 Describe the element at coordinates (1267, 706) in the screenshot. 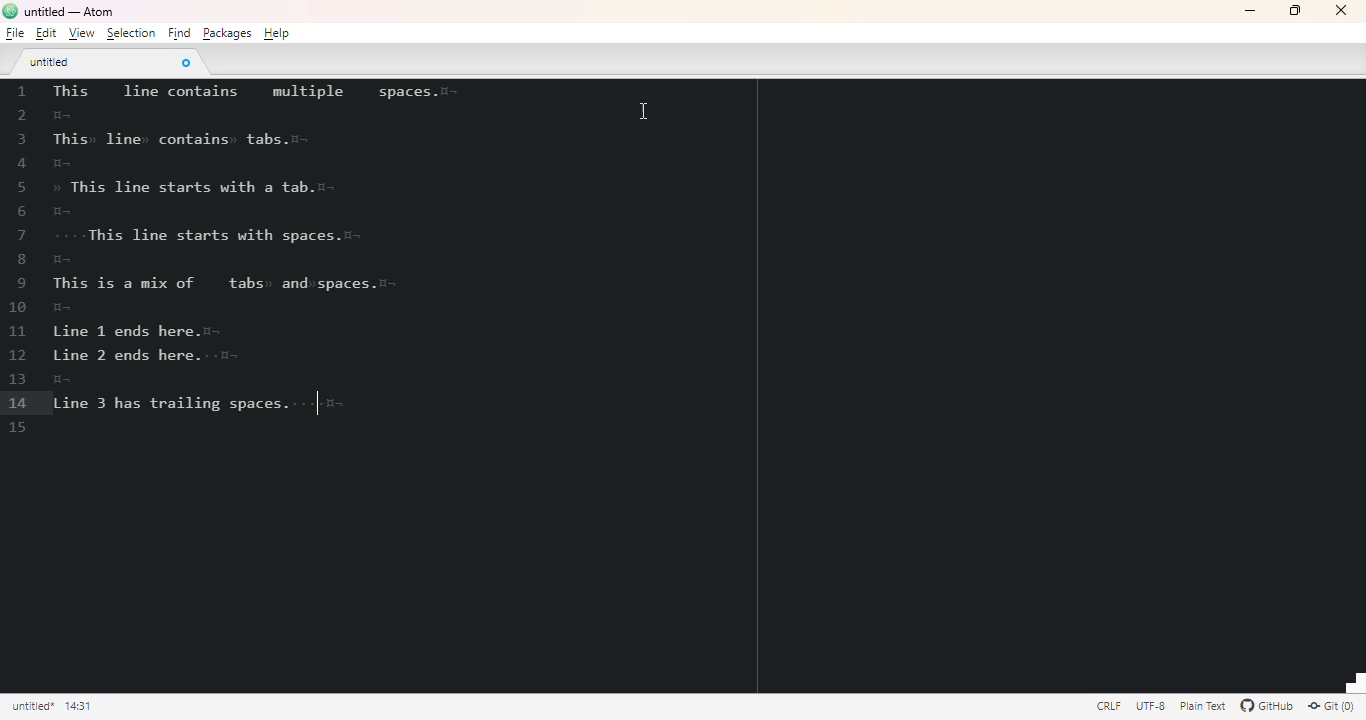

I see `GitHub` at that location.